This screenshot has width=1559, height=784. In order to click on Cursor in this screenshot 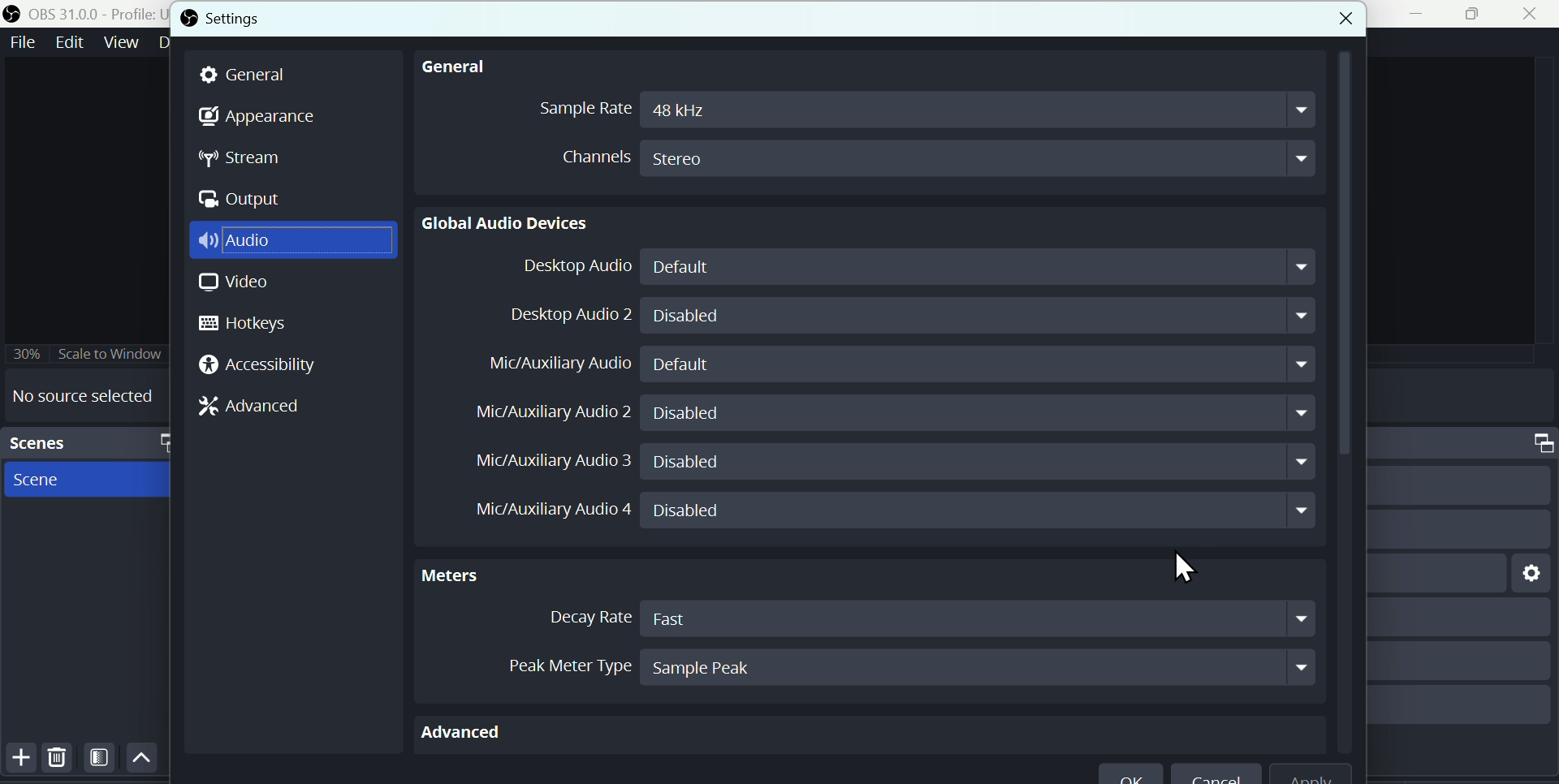, I will do `click(1188, 570)`.